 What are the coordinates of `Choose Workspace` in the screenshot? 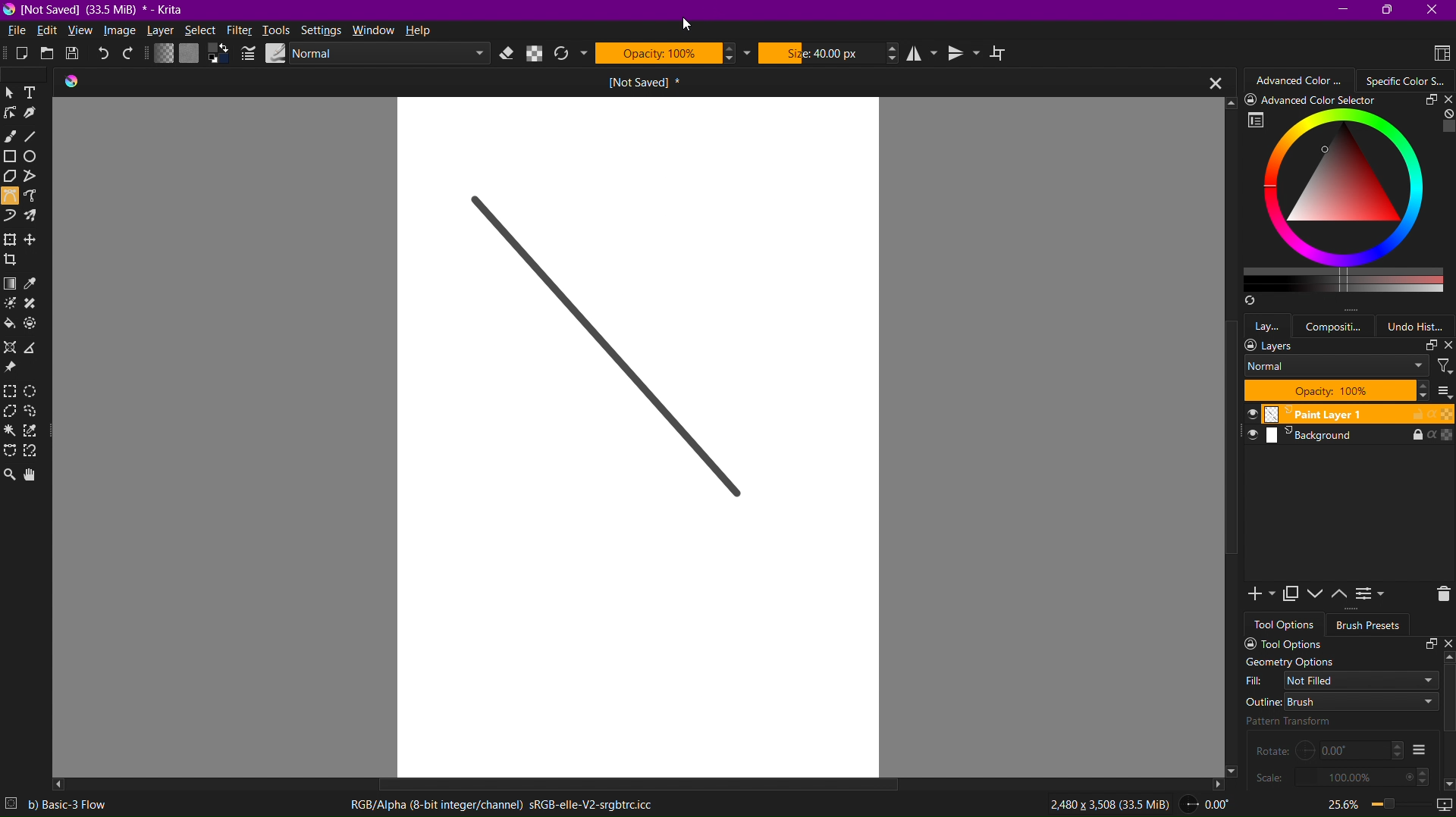 It's located at (1436, 52).